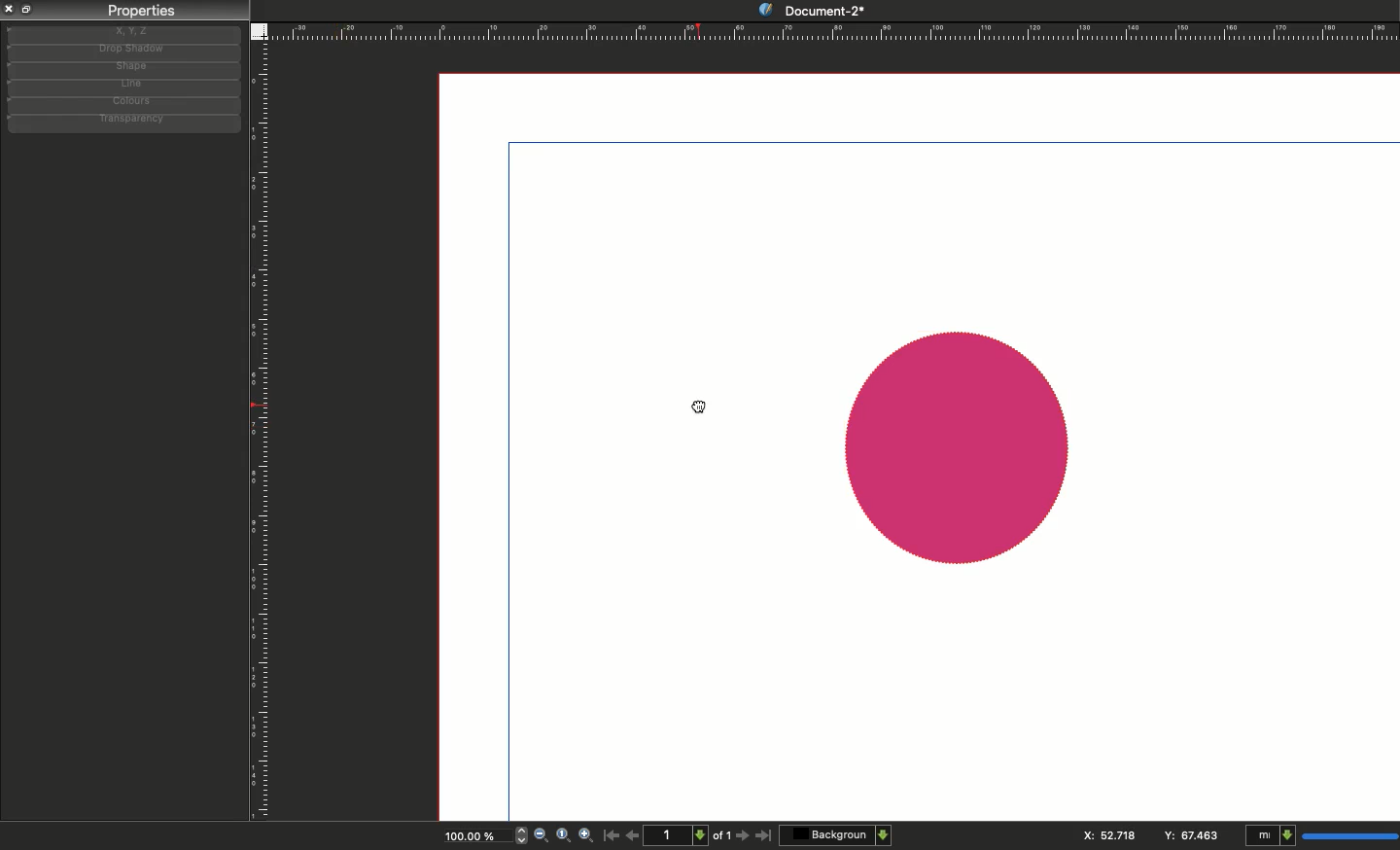 This screenshot has height=850, width=1400. What do you see at coordinates (837, 834) in the screenshot?
I see `Background` at bounding box center [837, 834].